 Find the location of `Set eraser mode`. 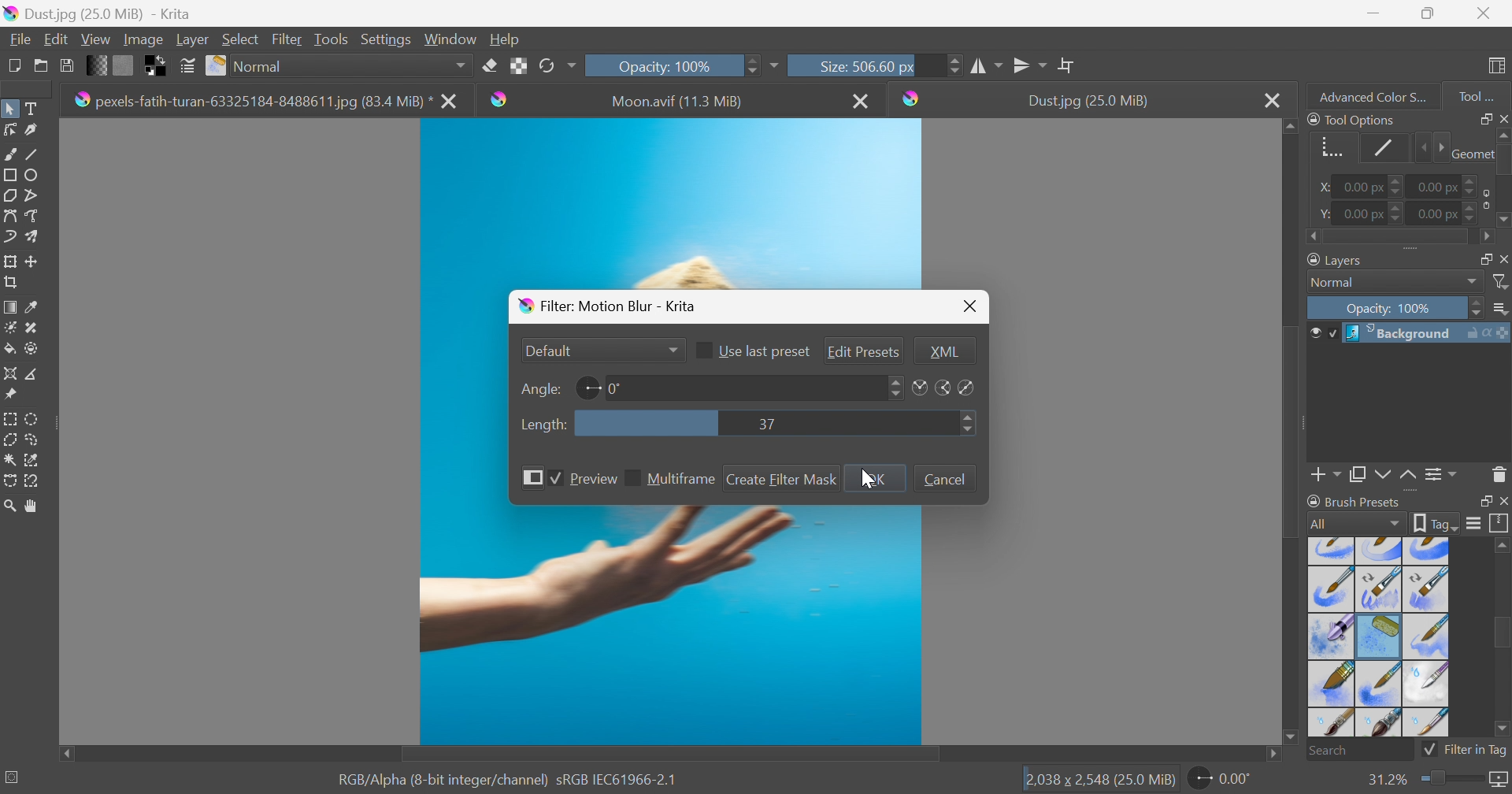

Set eraser mode is located at coordinates (489, 64).